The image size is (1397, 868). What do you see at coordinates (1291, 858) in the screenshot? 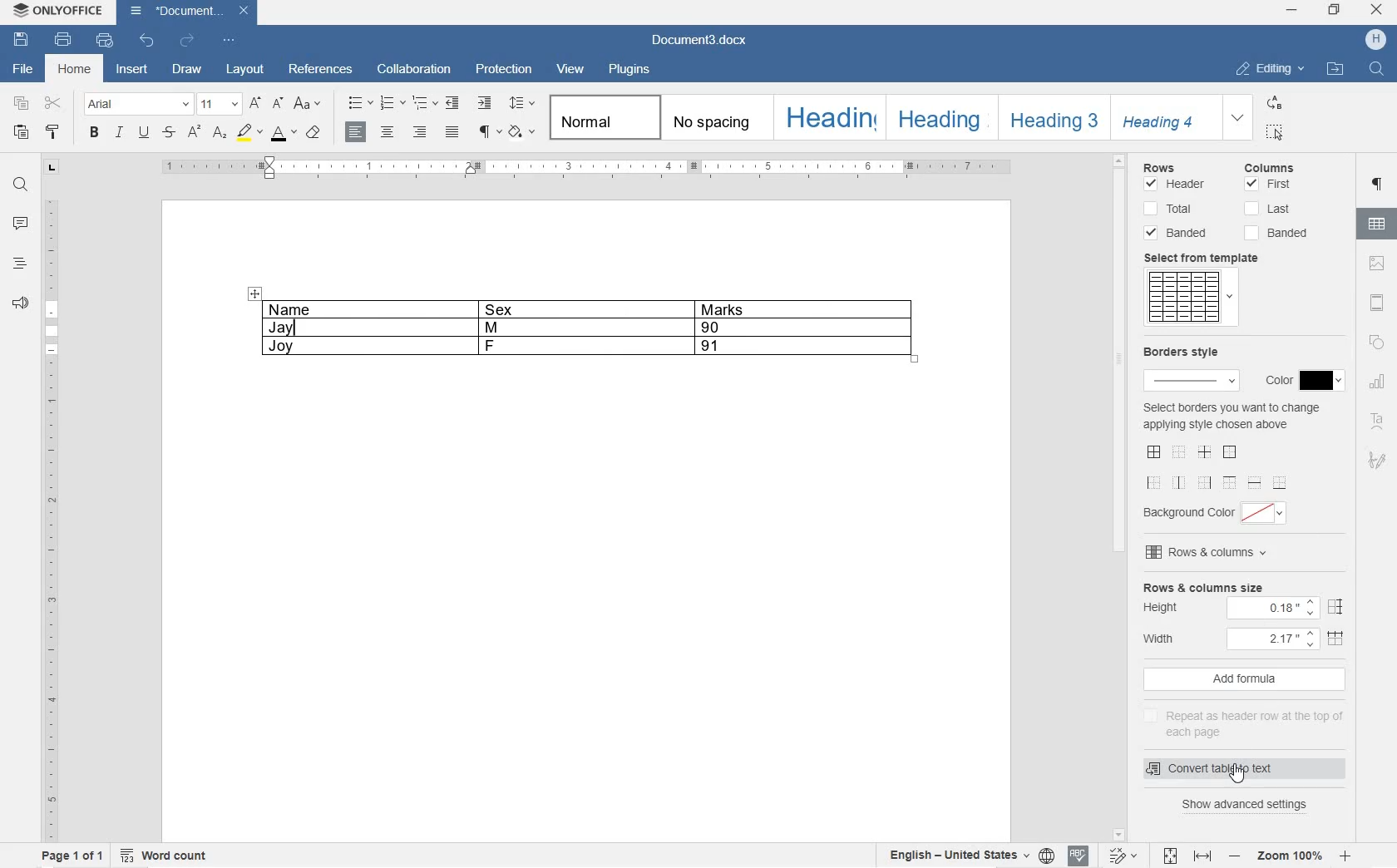
I see `ZOOM IN OR OUT` at bounding box center [1291, 858].